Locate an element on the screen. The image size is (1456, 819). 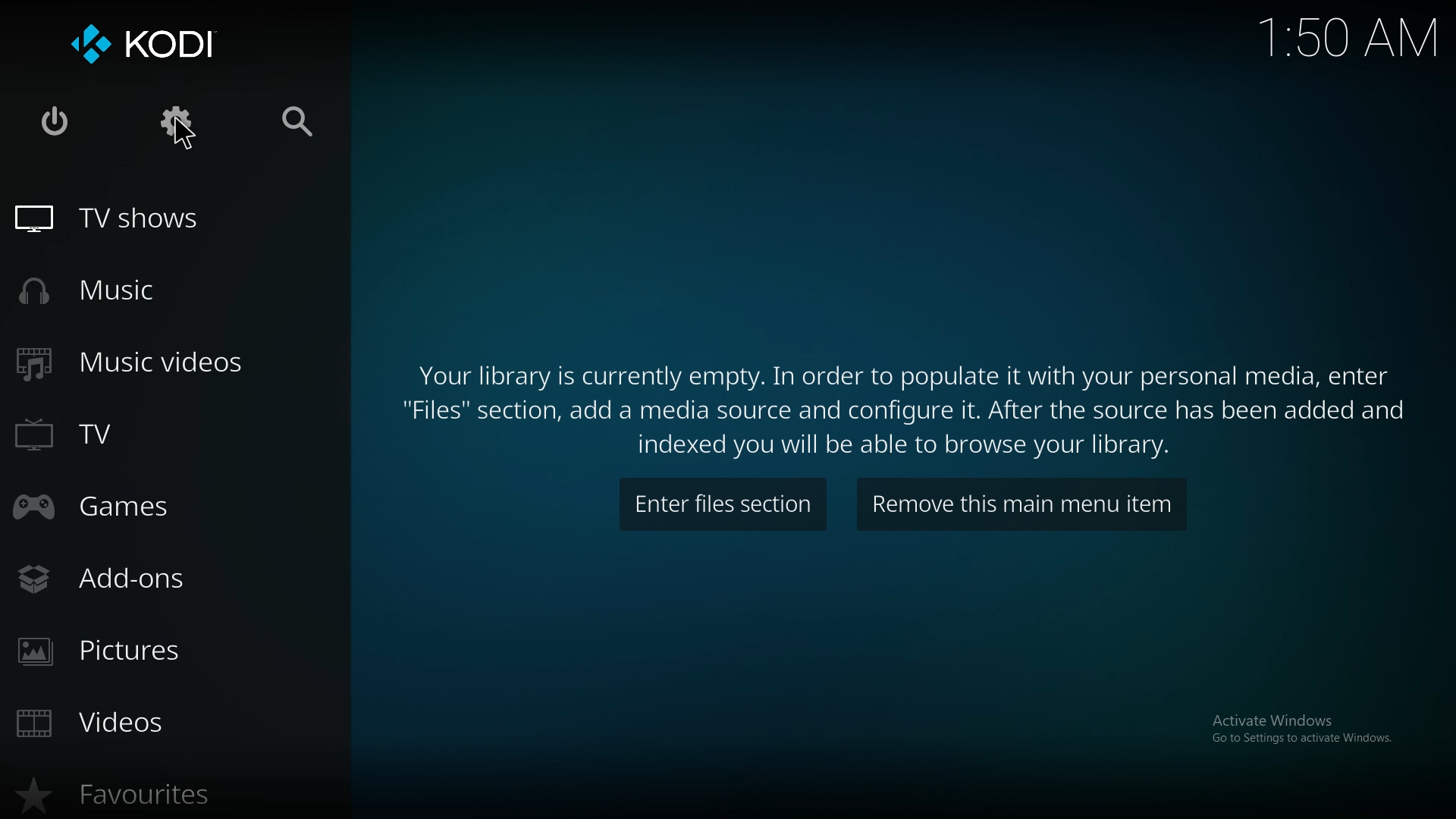
music videos is located at coordinates (135, 360).